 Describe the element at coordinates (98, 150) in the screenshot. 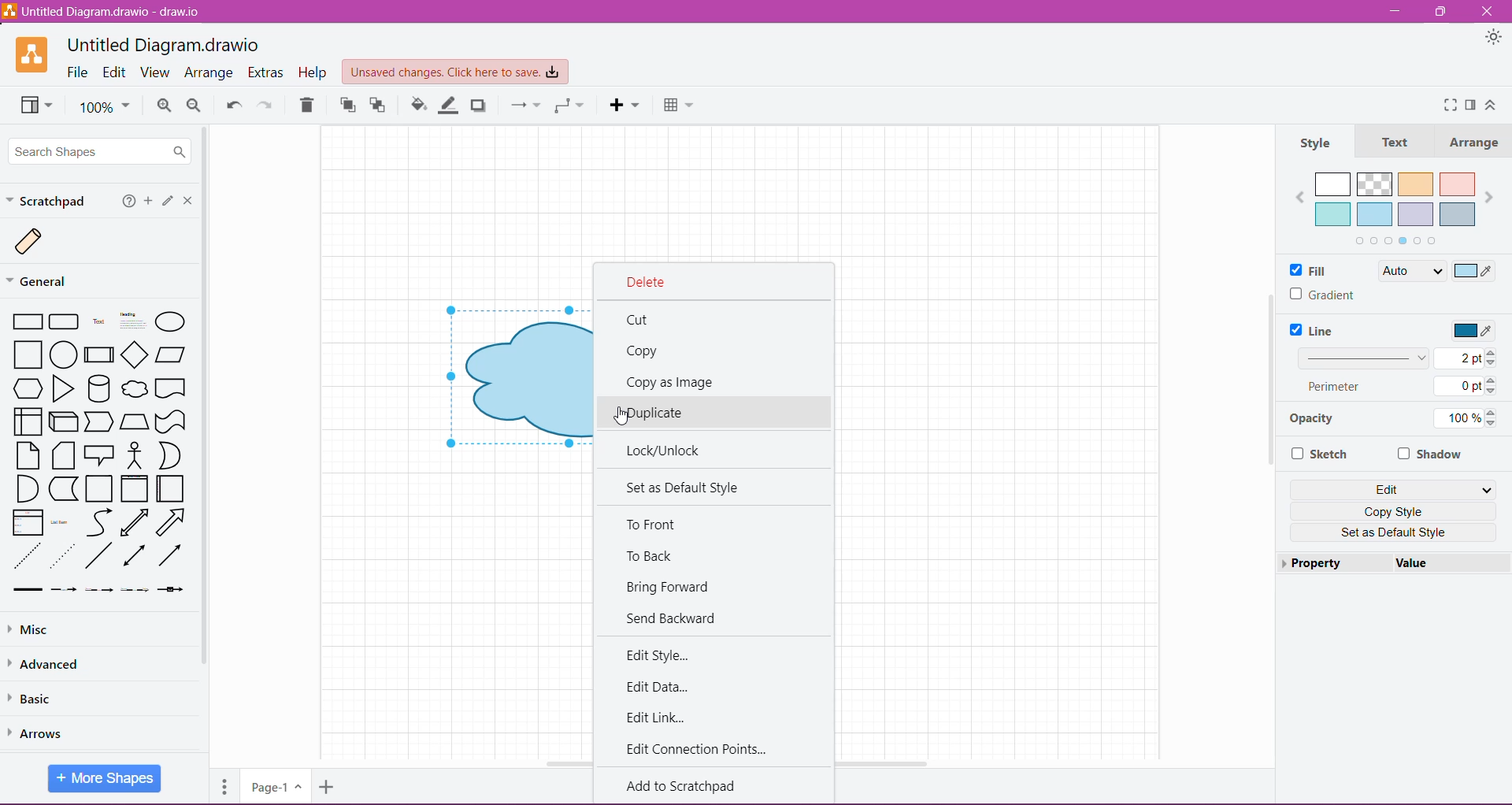

I see `Search Shapes` at that location.